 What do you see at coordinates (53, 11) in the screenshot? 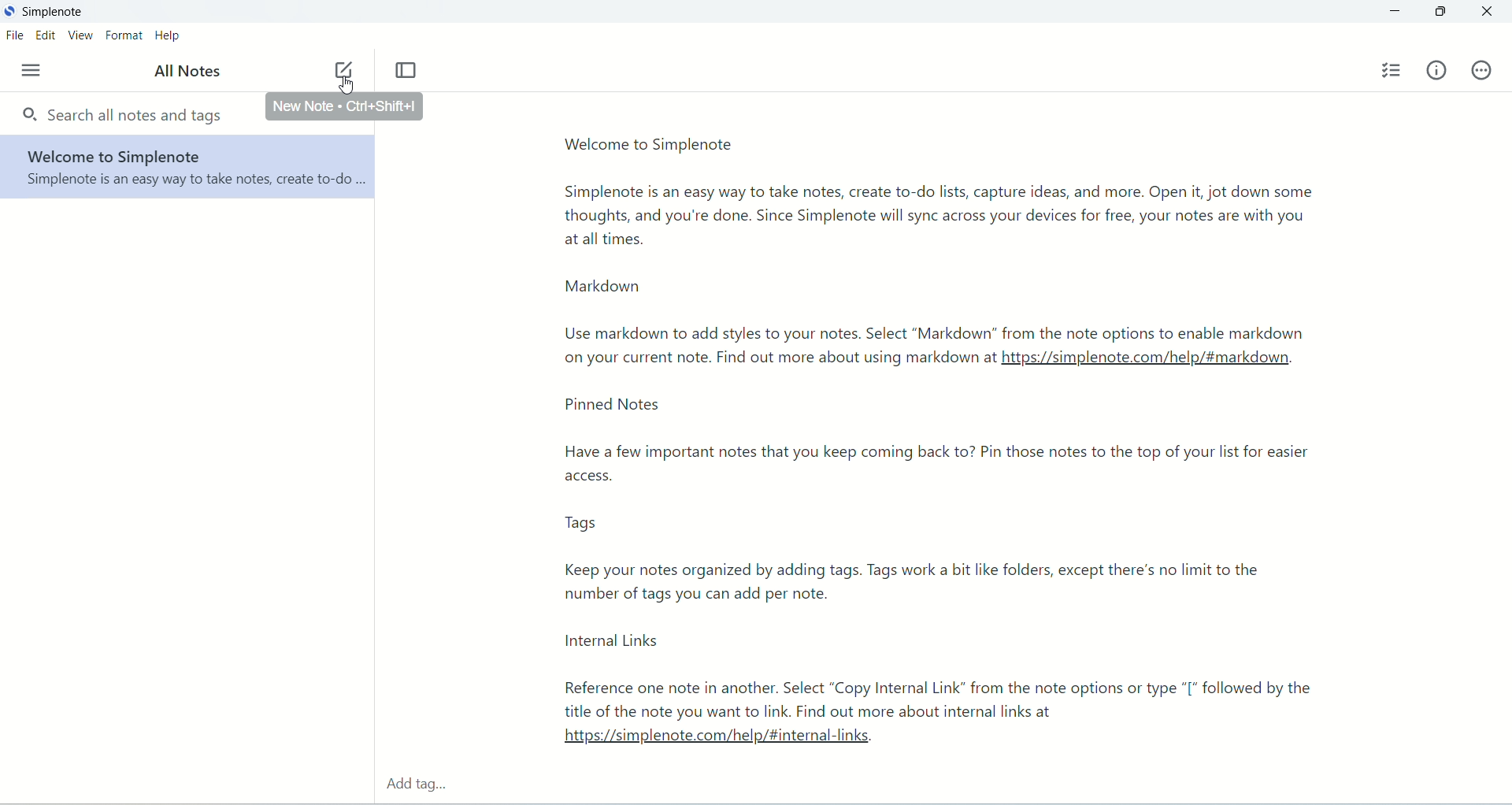
I see `Simplenote` at bounding box center [53, 11].